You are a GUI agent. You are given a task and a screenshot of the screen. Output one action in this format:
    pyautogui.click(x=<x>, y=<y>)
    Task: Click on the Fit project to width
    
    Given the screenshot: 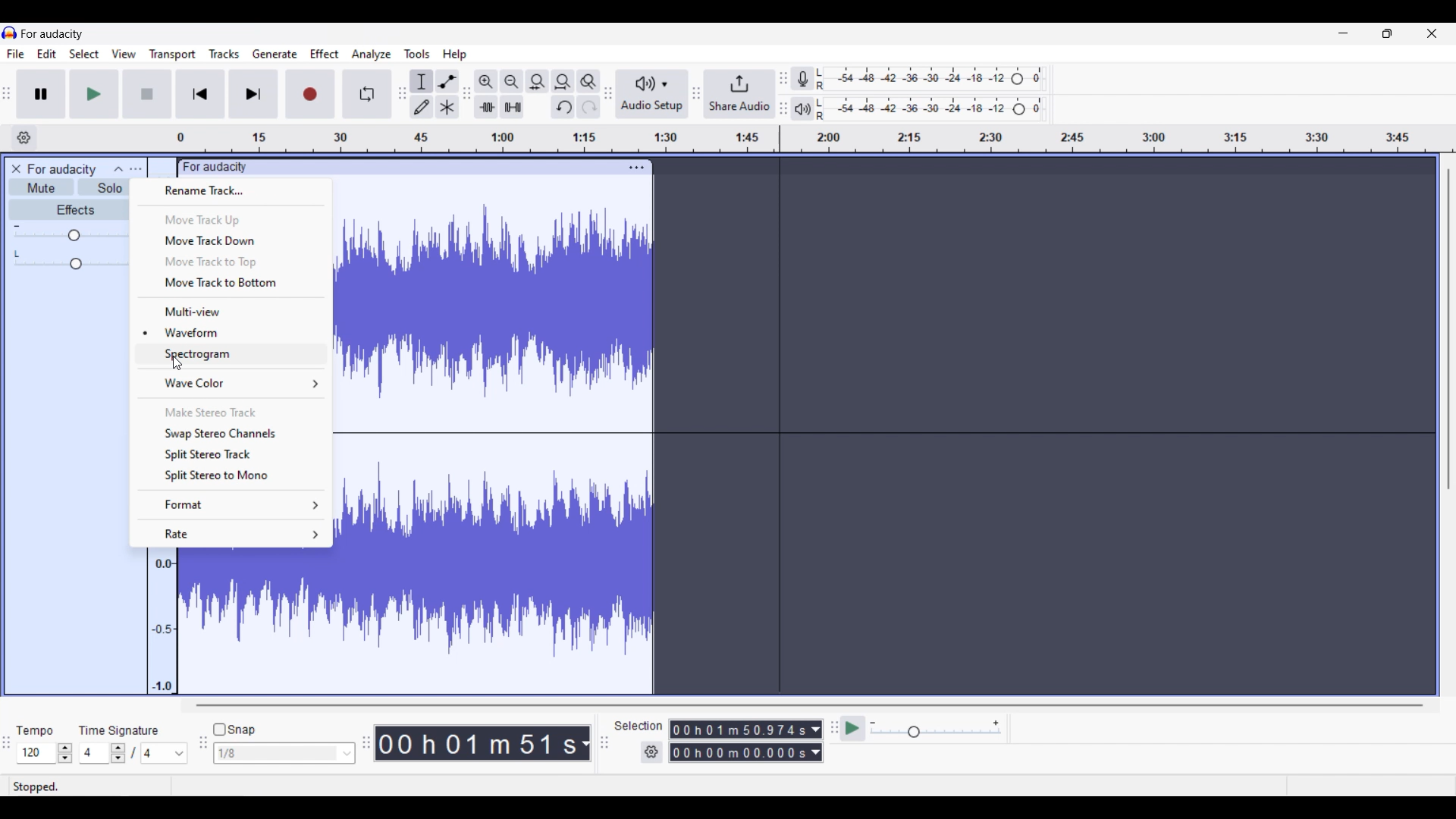 What is the action you would take?
    pyautogui.click(x=563, y=82)
    